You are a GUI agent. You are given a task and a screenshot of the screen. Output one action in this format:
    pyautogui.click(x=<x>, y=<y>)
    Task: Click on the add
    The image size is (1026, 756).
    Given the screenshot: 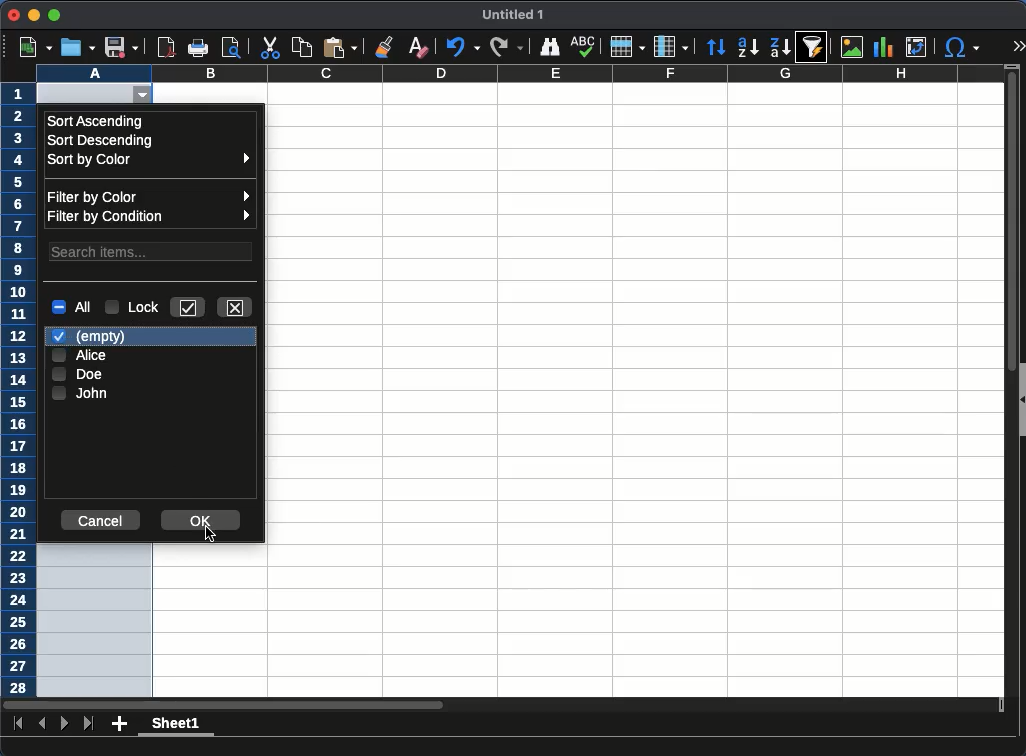 What is the action you would take?
    pyautogui.click(x=120, y=723)
    